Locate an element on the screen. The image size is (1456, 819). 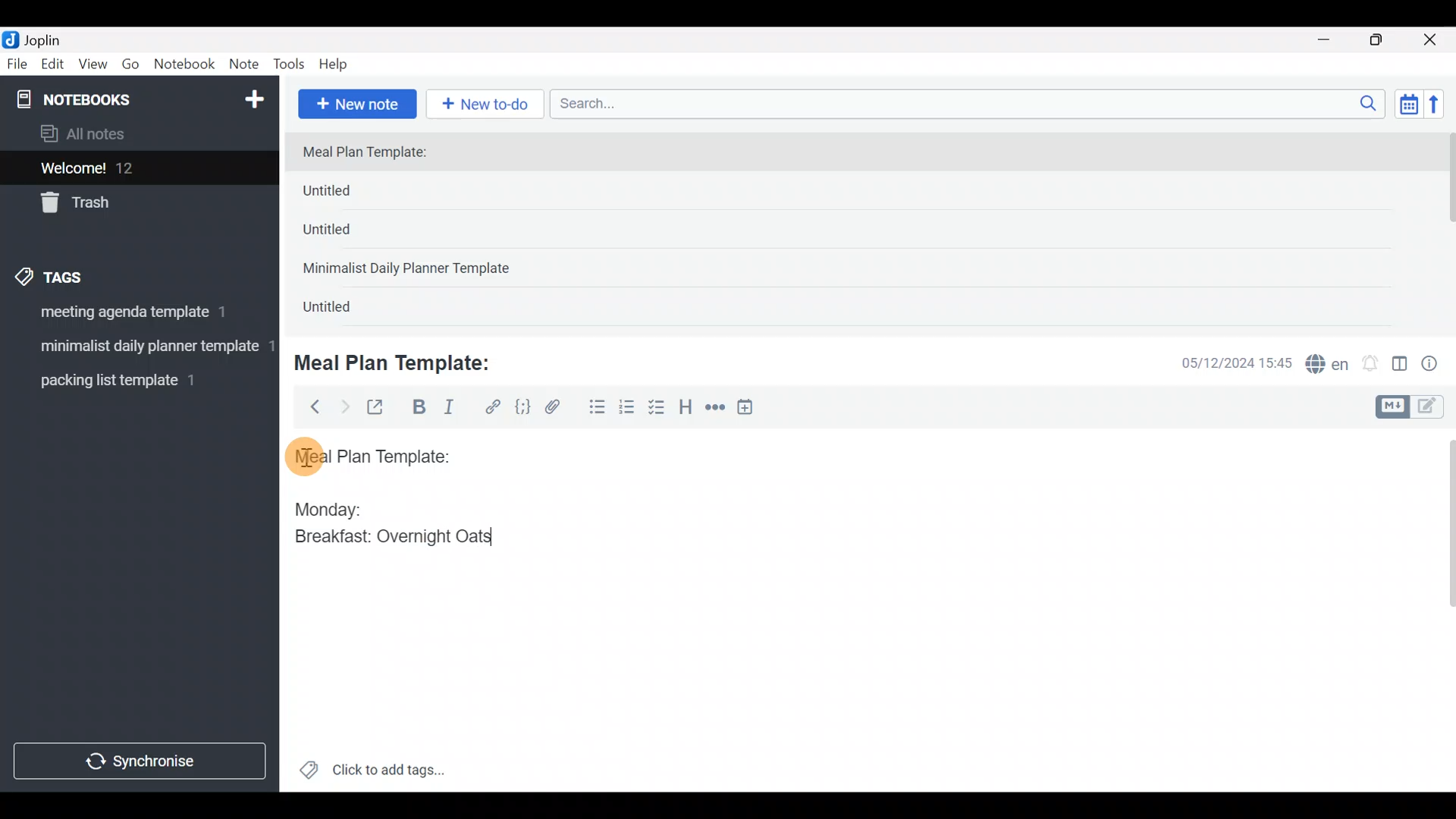
Scroll bar is located at coordinates (1440, 610).